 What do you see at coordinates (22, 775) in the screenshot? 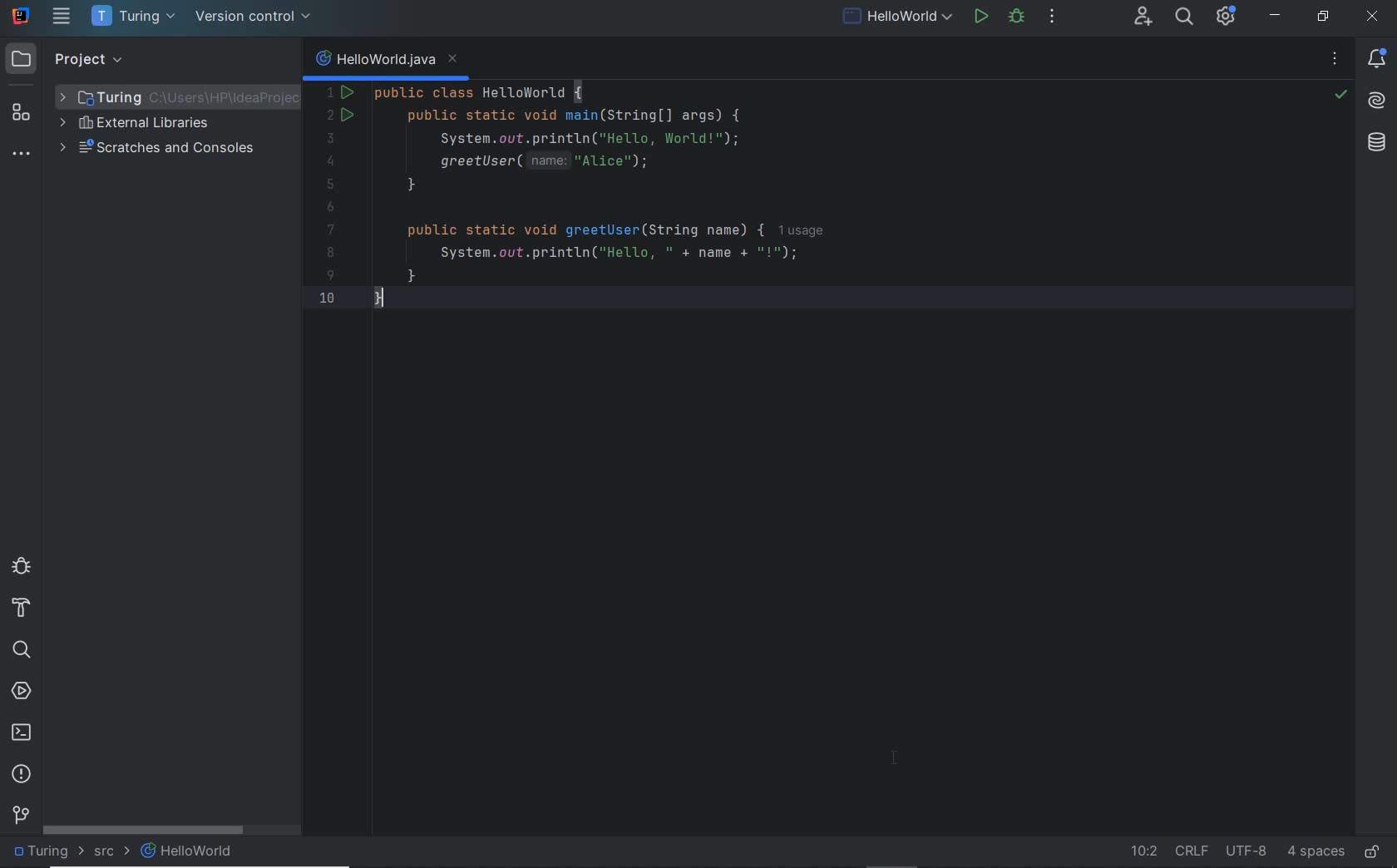
I see `problems` at bounding box center [22, 775].